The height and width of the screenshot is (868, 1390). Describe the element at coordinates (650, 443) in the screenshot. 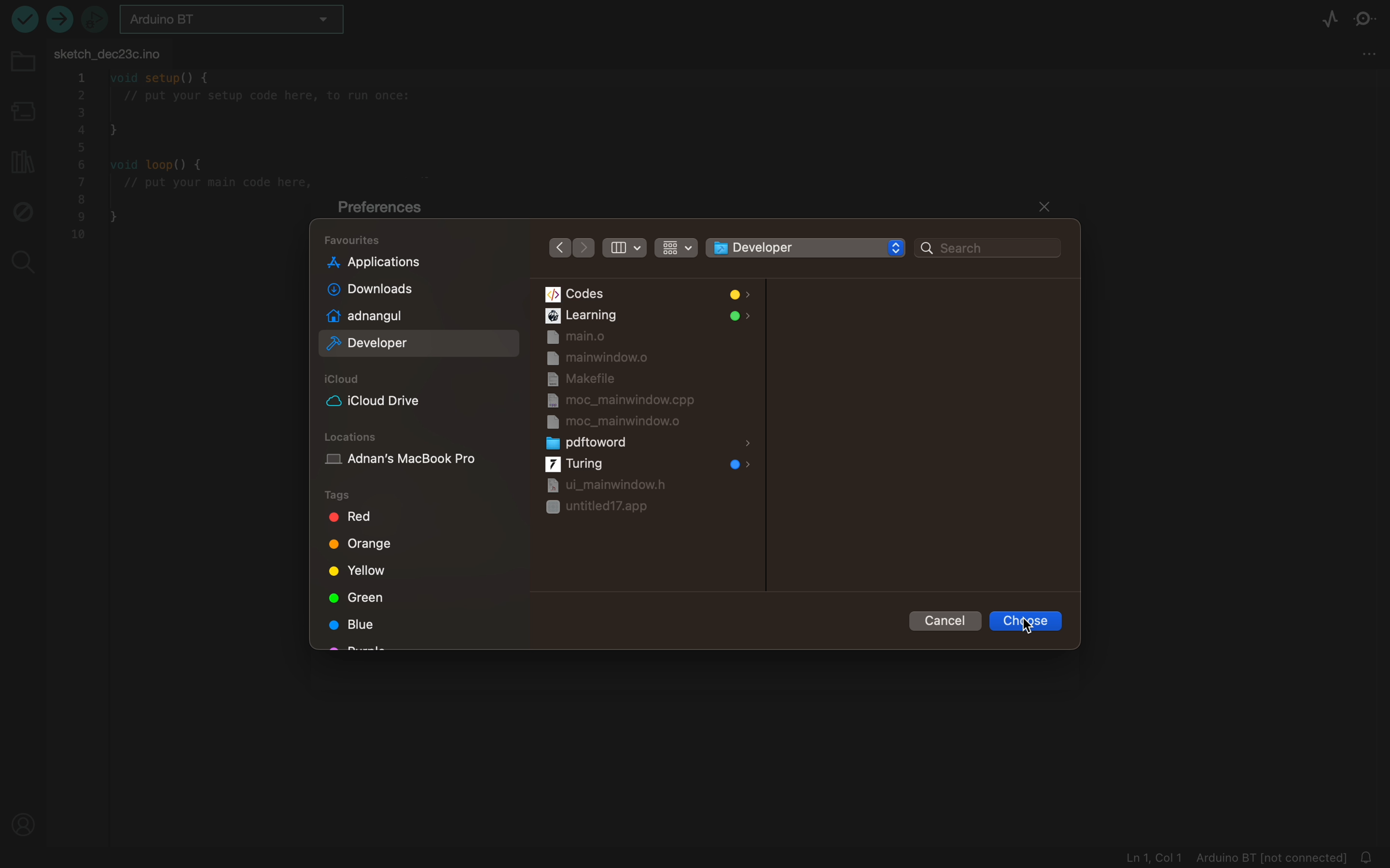

I see `pdftword` at that location.